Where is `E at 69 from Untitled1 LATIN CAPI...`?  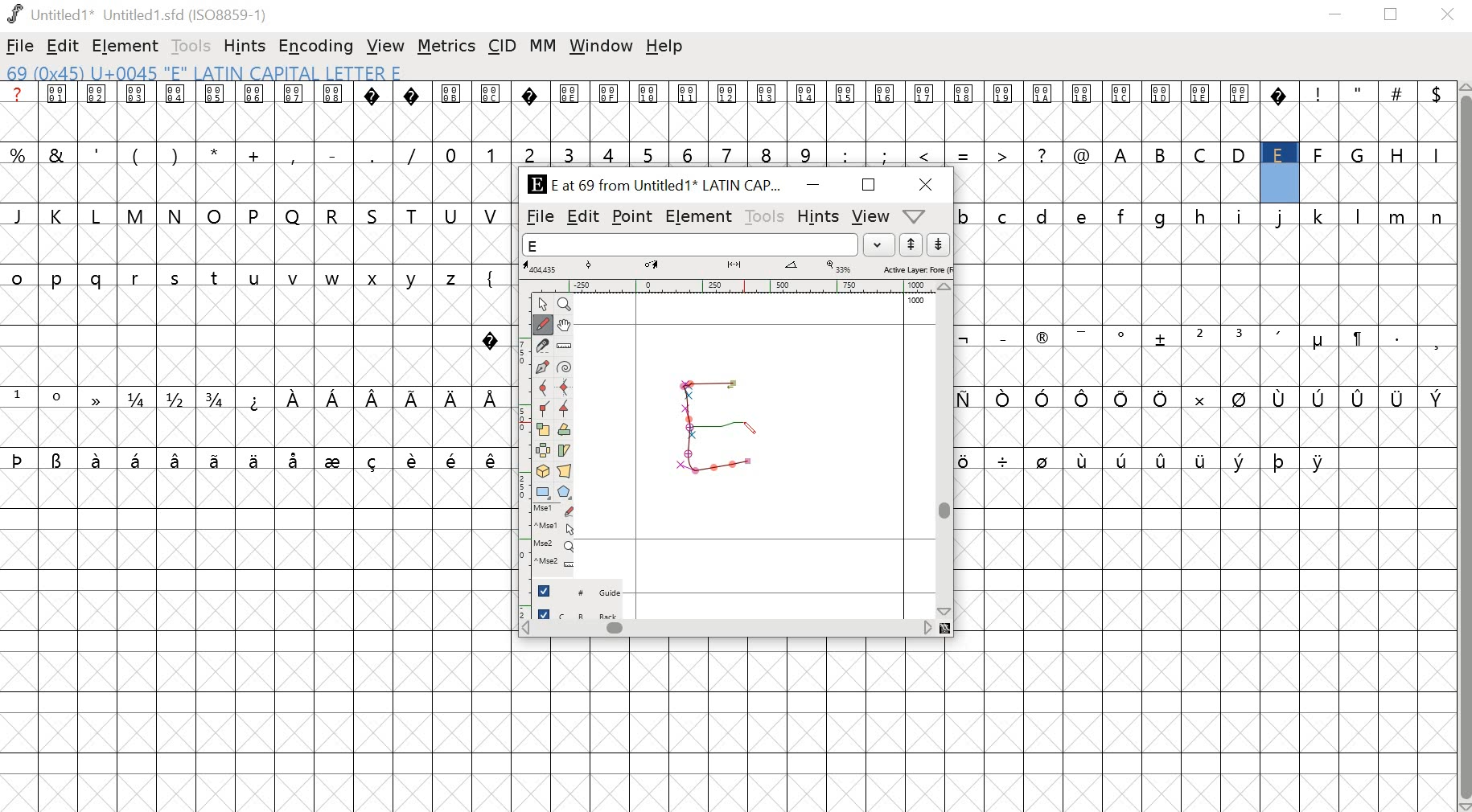 E at 69 from Untitled1 LATIN CAPI... is located at coordinates (651, 186).